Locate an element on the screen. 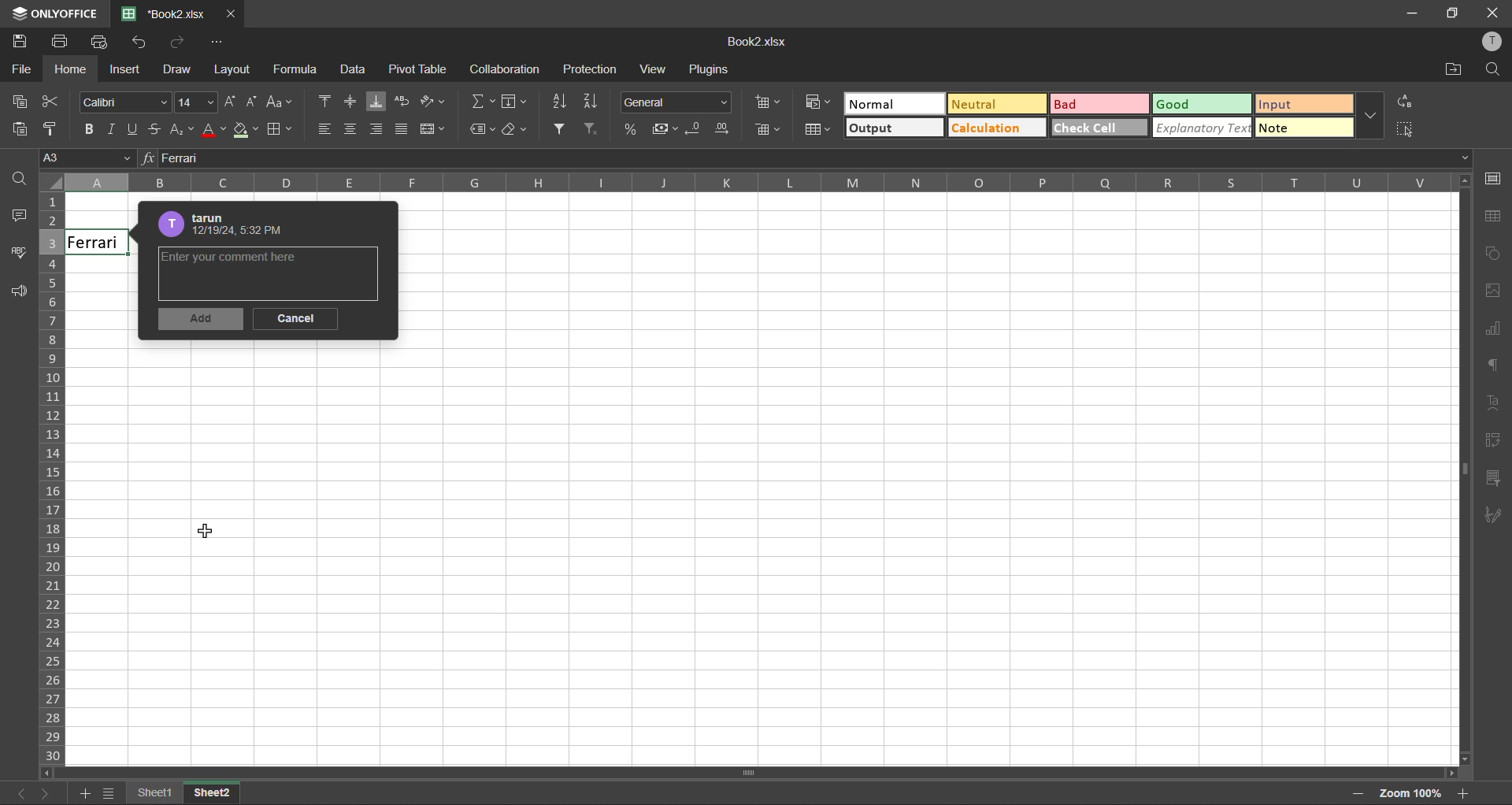 Image resolution: width=1512 pixels, height=805 pixels. draw is located at coordinates (180, 71).